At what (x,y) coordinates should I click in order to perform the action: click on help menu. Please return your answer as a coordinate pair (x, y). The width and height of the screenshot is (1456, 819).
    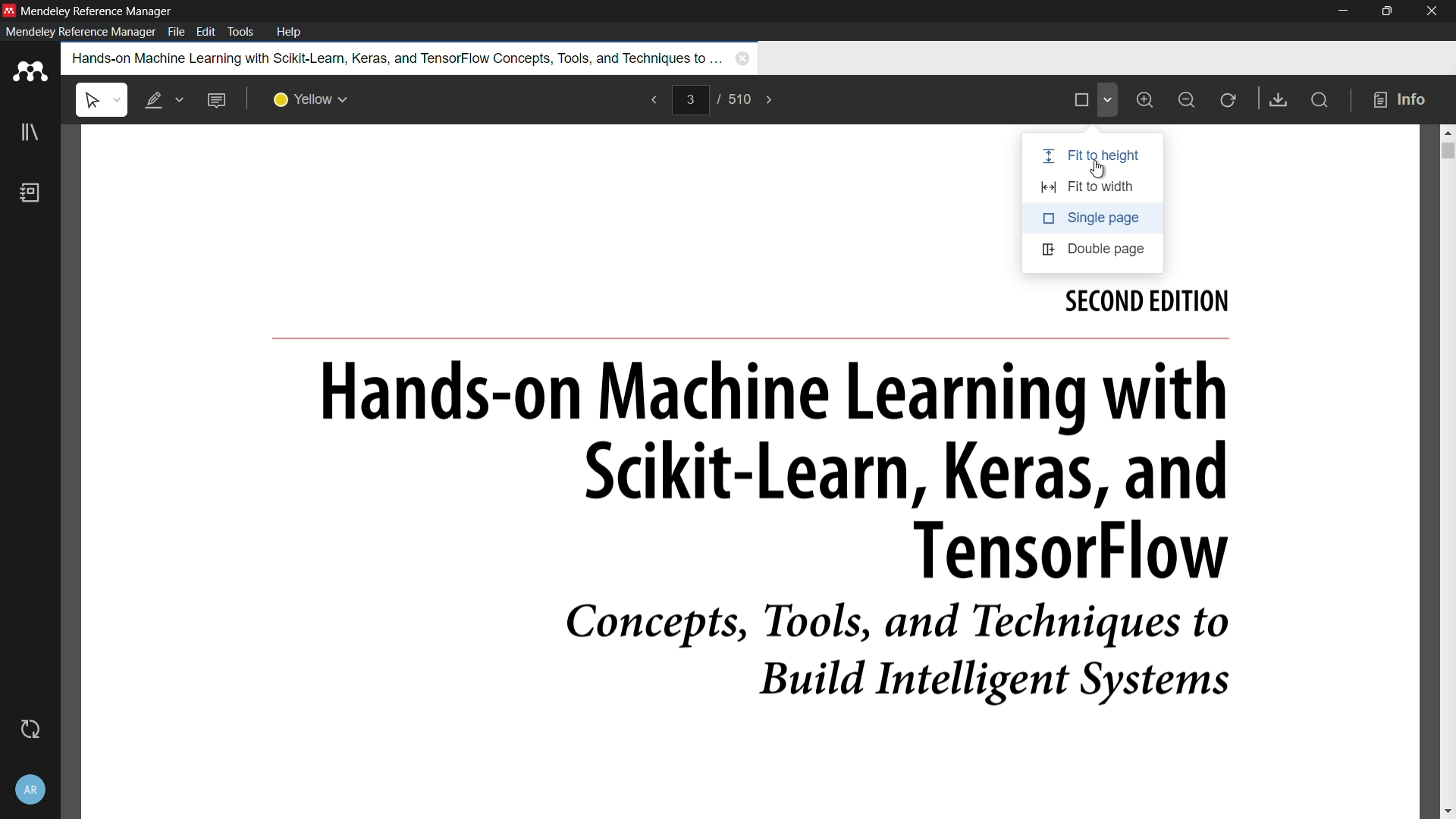
    Looking at the image, I should click on (290, 31).